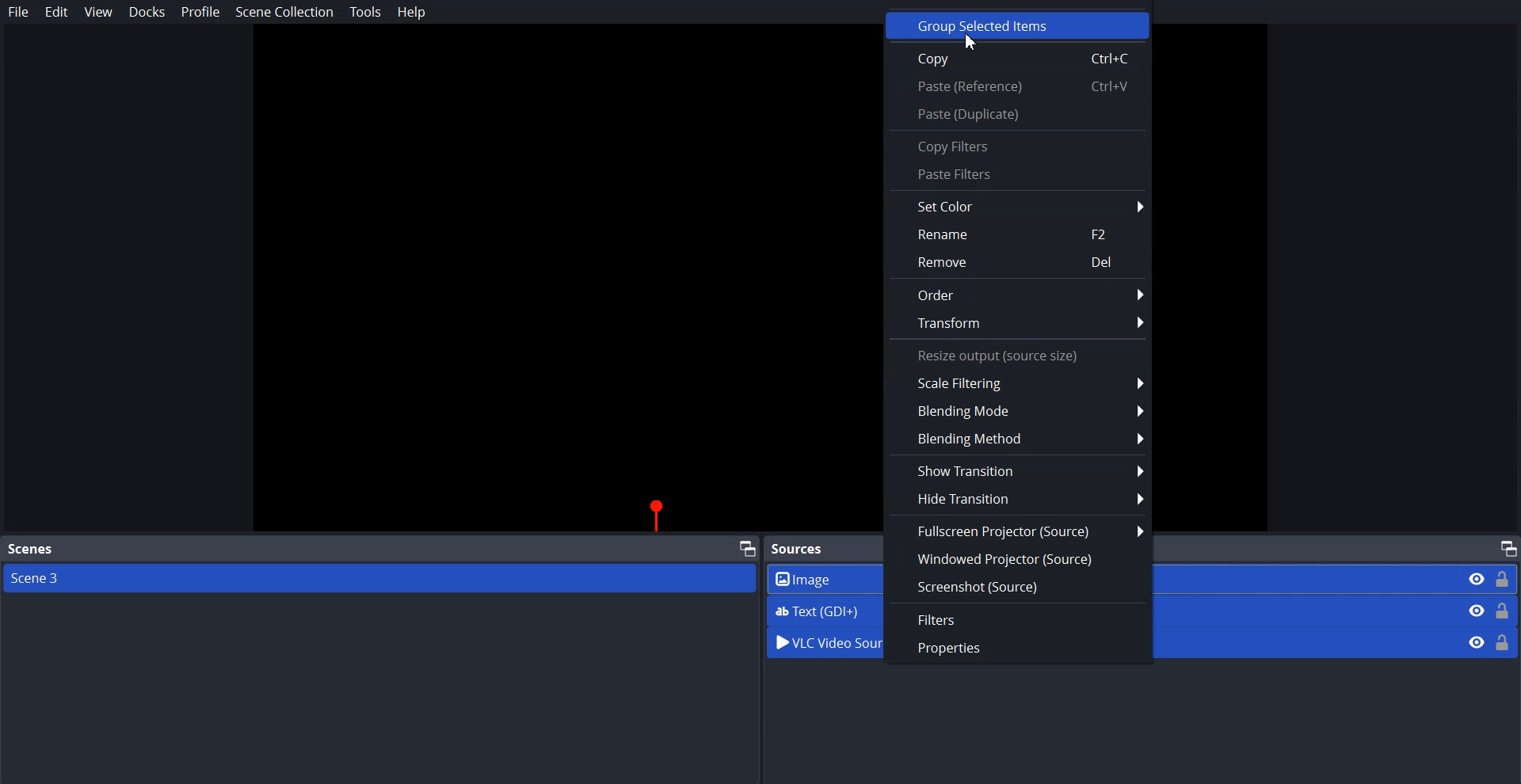 This screenshot has width=1521, height=784. What do you see at coordinates (1017, 295) in the screenshot?
I see `Order` at bounding box center [1017, 295].